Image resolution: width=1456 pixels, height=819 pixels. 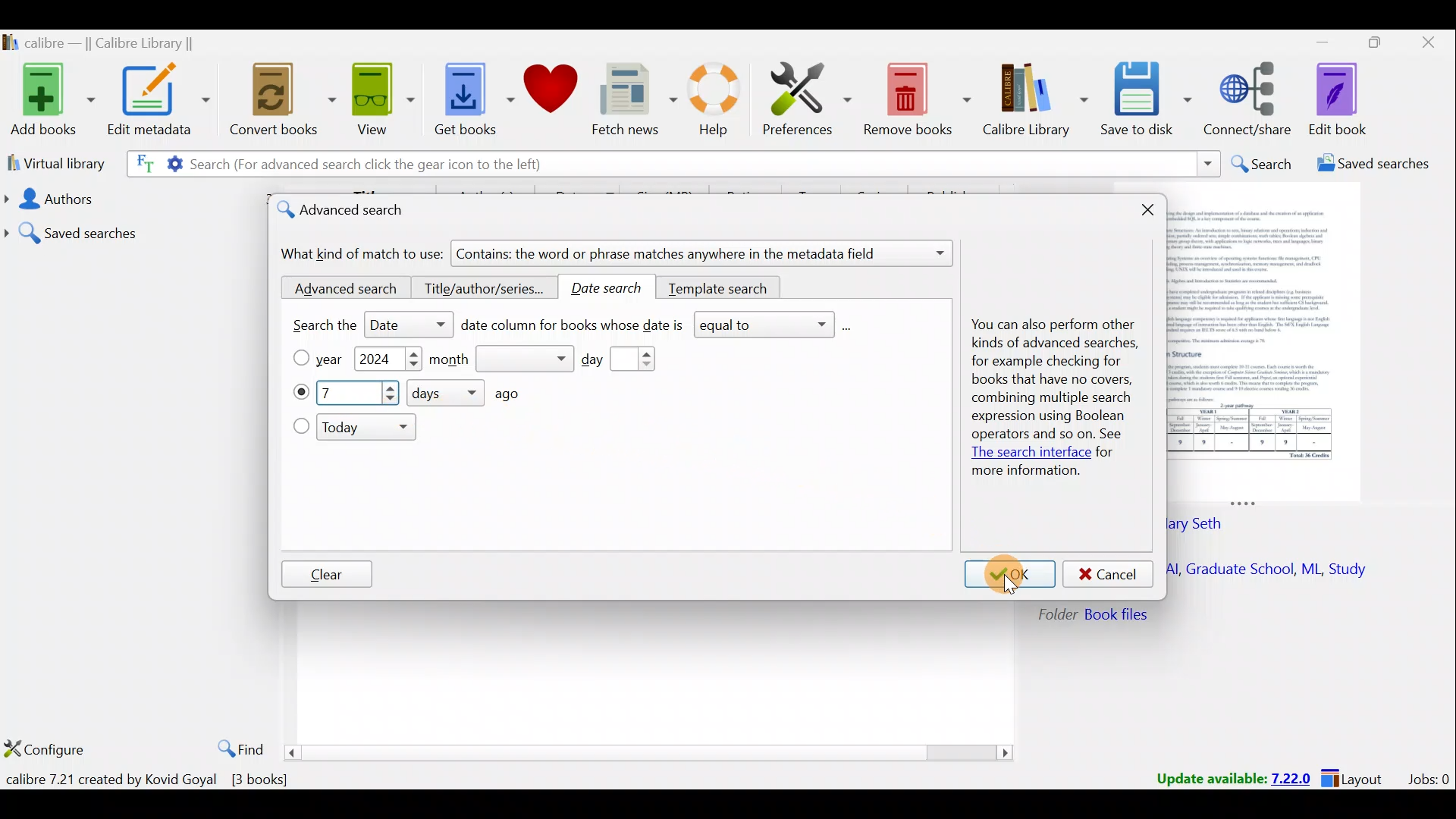 What do you see at coordinates (1369, 165) in the screenshot?
I see `Saved searches` at bounding box center [1369, 165].